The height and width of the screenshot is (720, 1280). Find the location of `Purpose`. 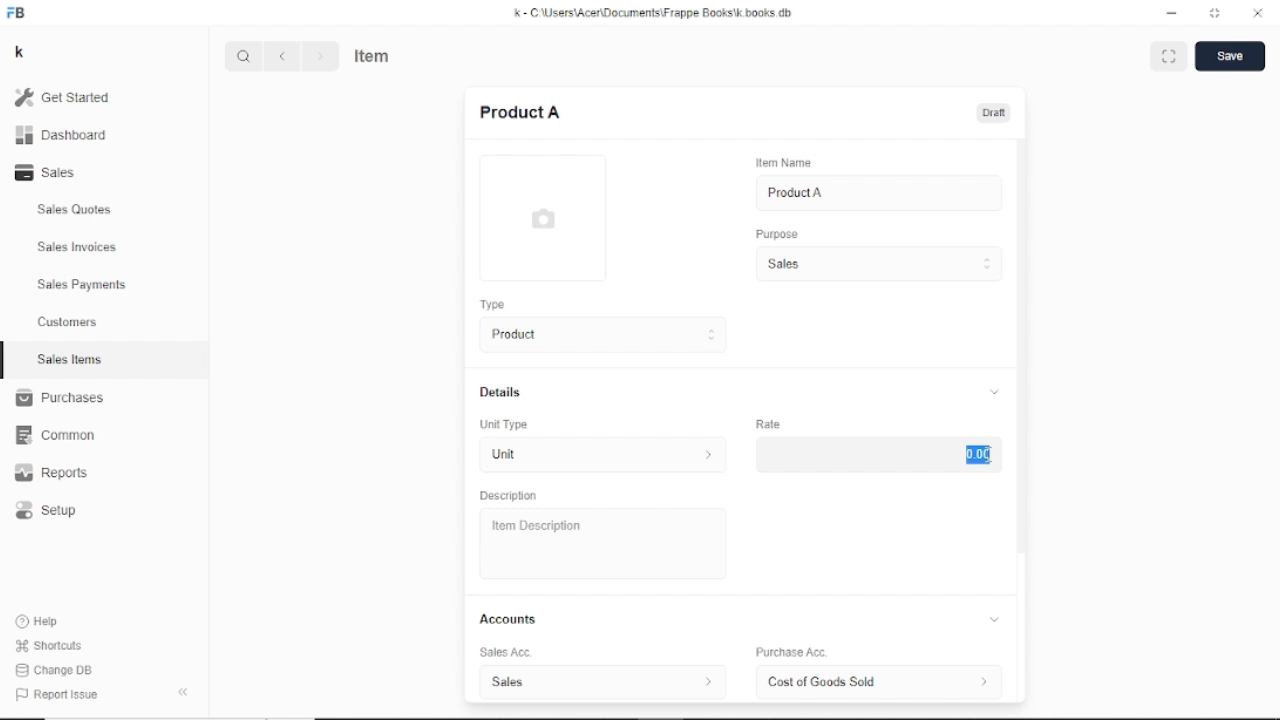

Purpose is located at coordinates (775, 233).